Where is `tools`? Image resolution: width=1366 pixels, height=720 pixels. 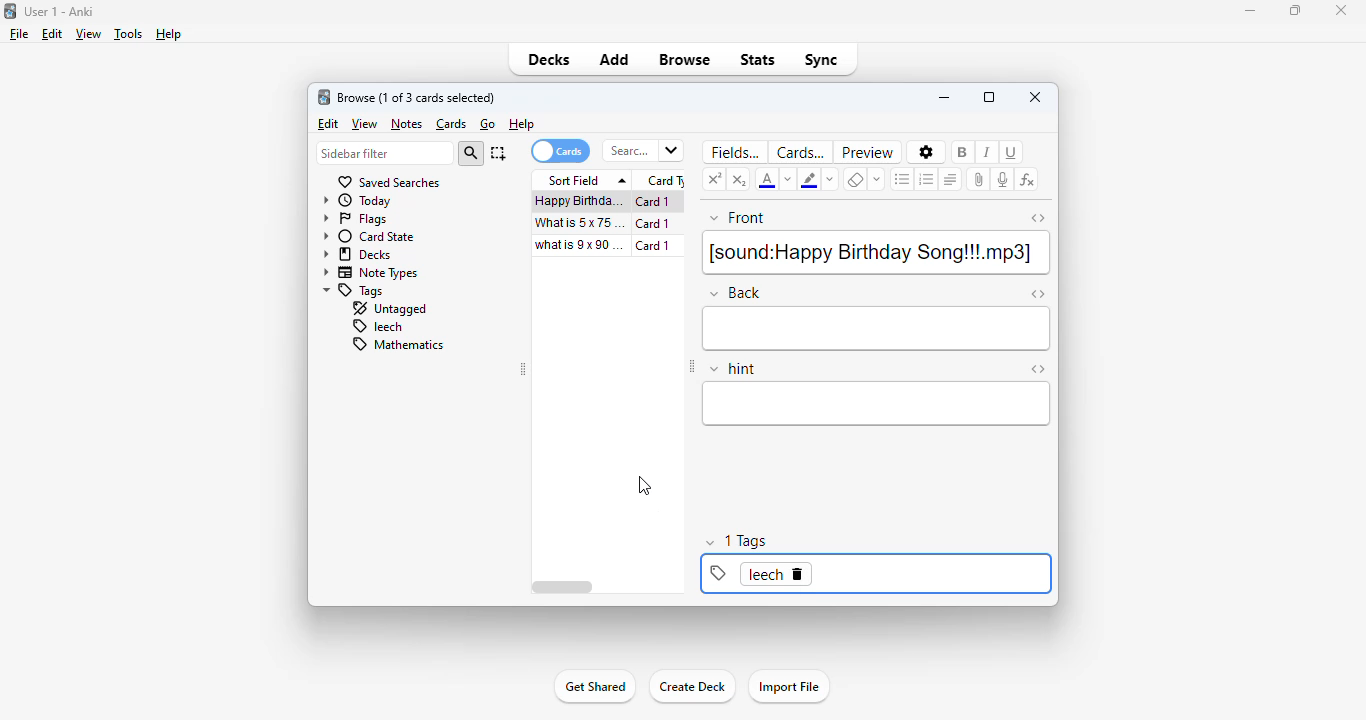
tools is located at coordinates (128, 35).